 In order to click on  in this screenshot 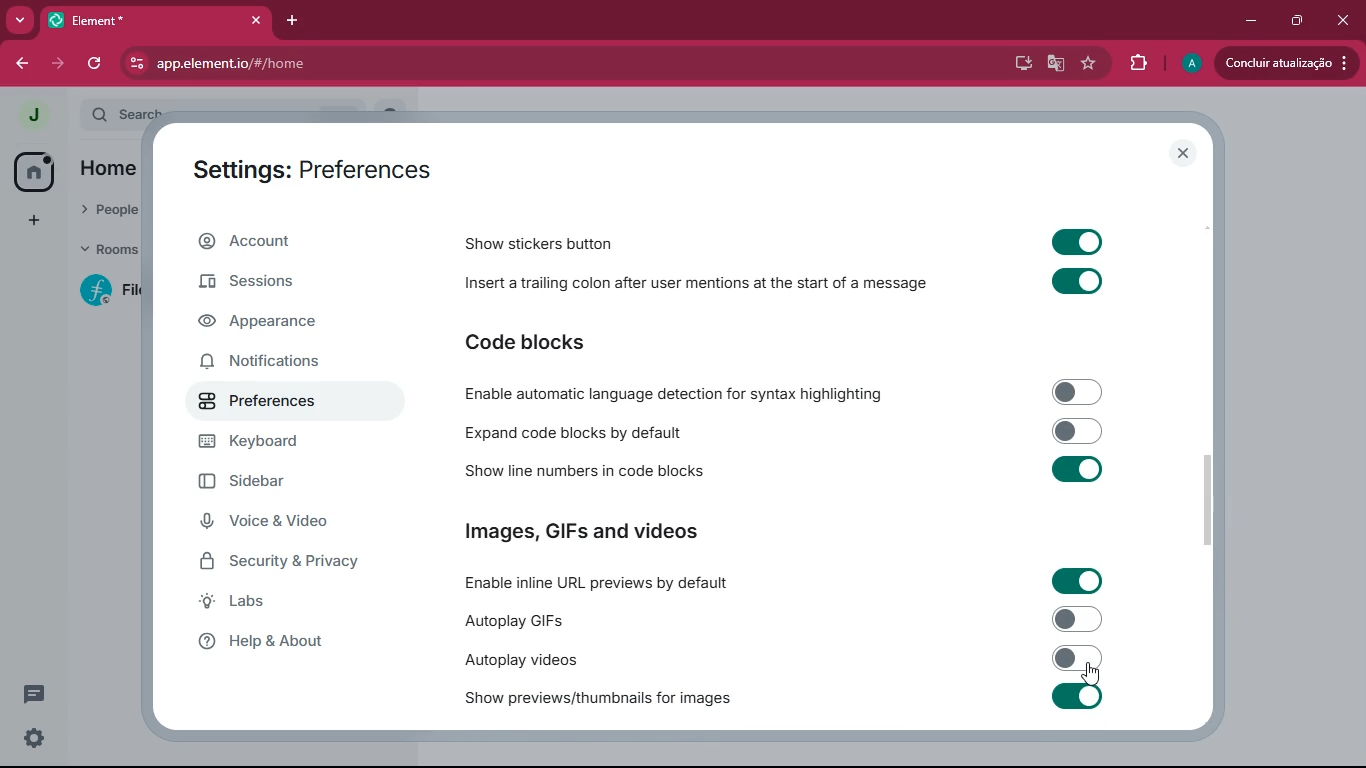, I will do `click(1076, 240)`.